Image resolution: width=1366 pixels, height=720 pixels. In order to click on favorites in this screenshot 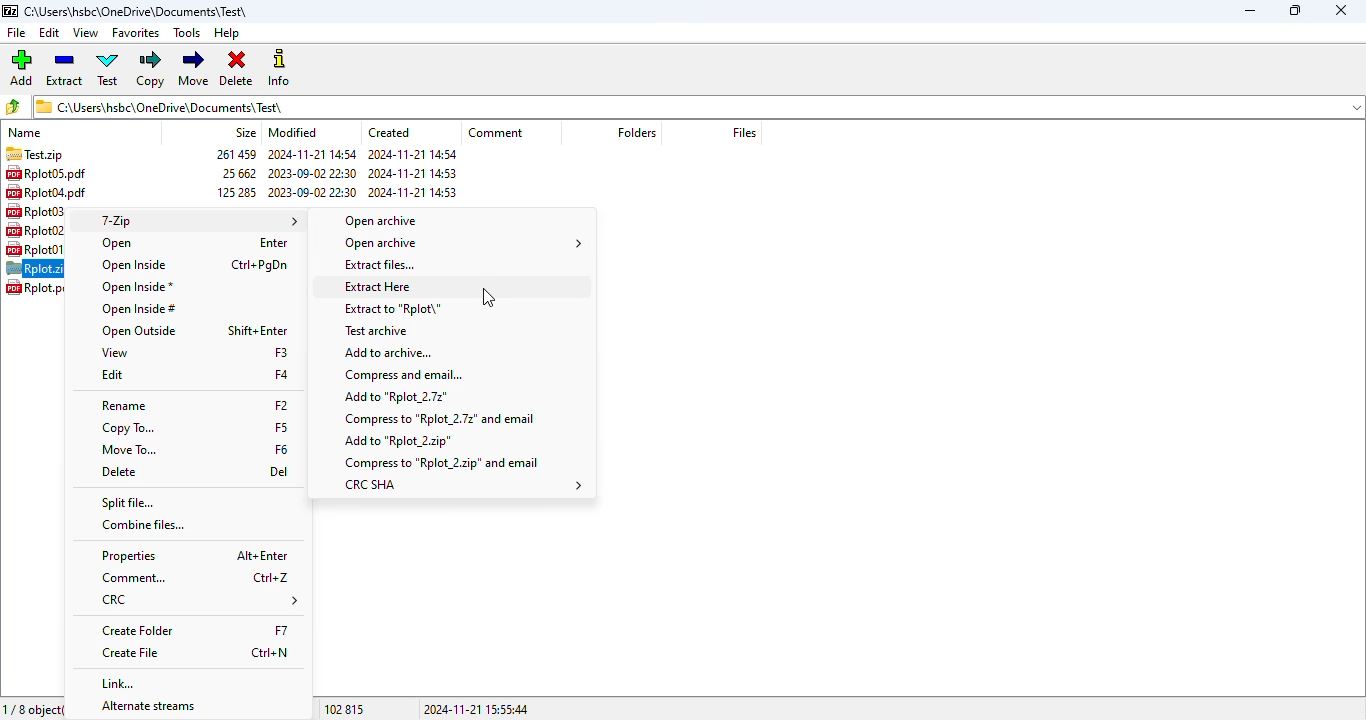, I will do `click(136, 33)`.